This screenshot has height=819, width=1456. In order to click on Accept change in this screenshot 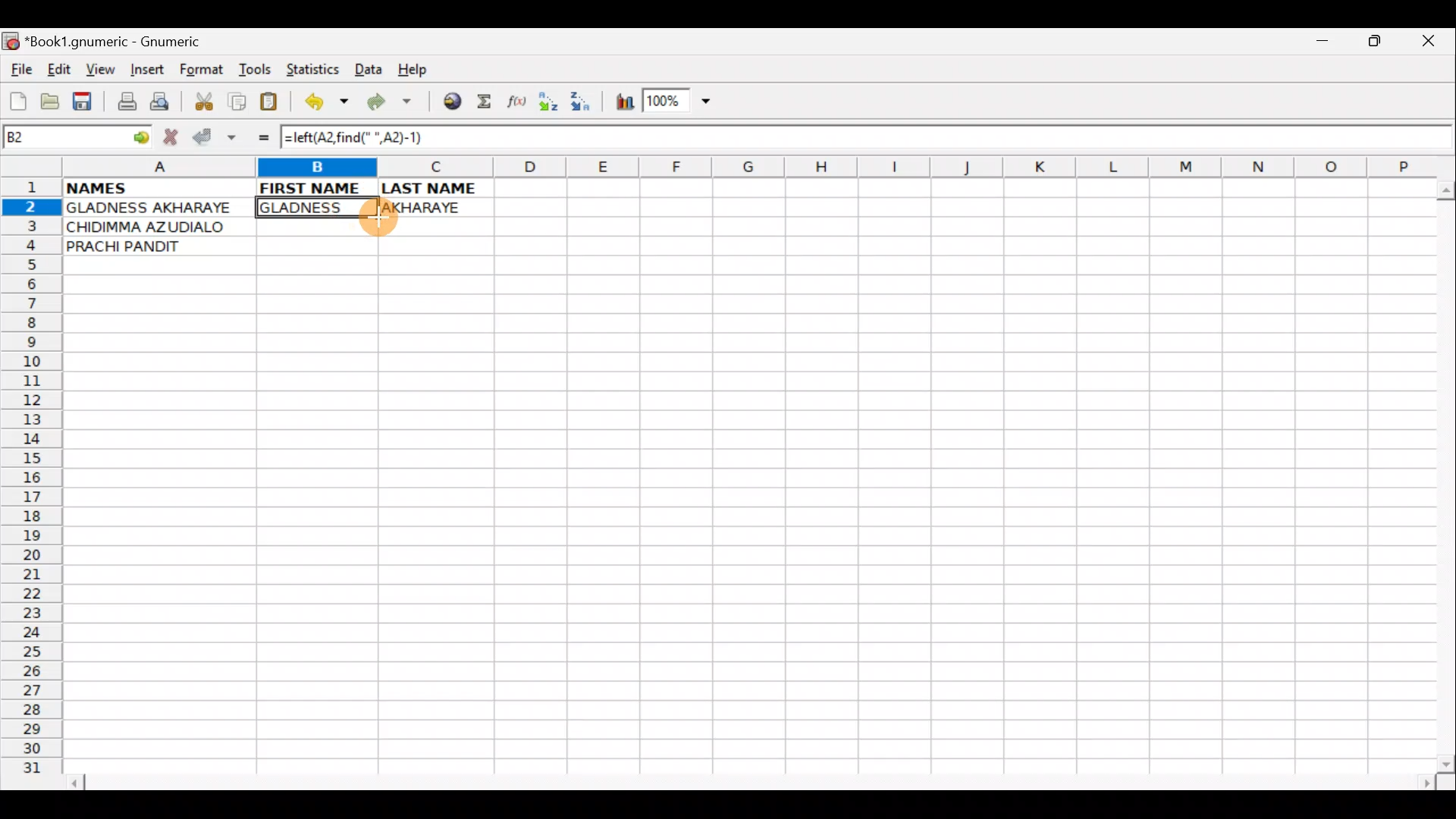, I will do `click(215, 137)`.